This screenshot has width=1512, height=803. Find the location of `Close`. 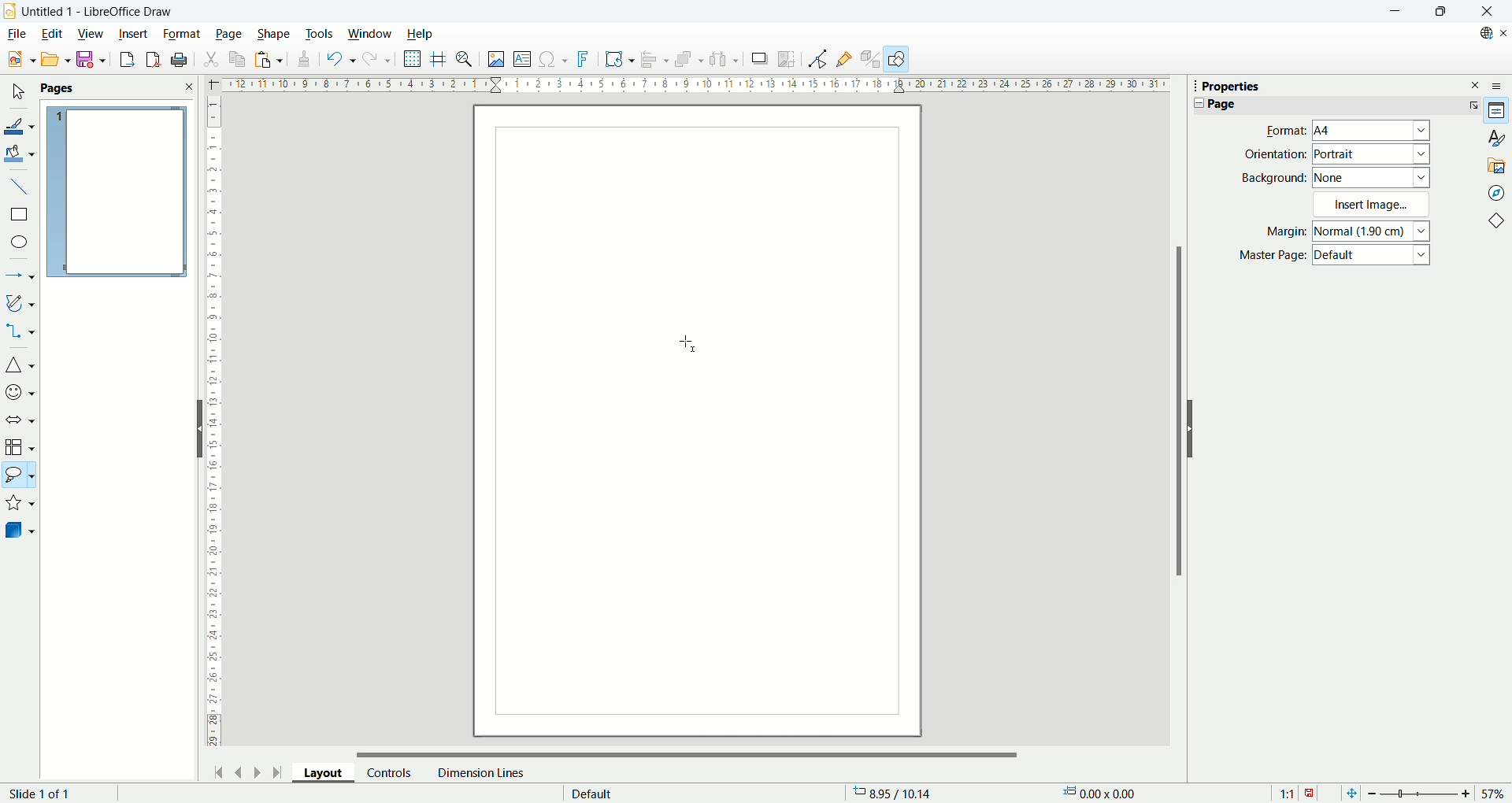

Close is located at coordinates (1487, 12).